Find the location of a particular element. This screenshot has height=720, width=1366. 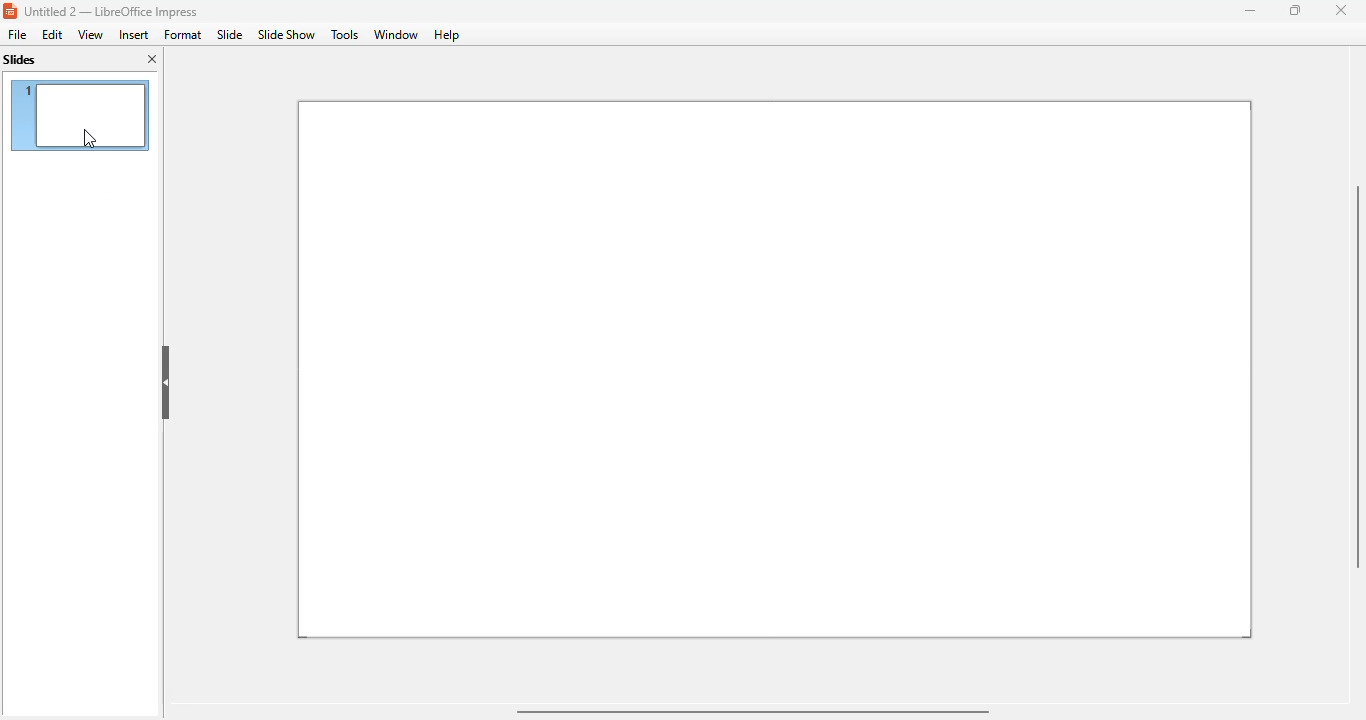

slides is located at coordinates (19, 60).